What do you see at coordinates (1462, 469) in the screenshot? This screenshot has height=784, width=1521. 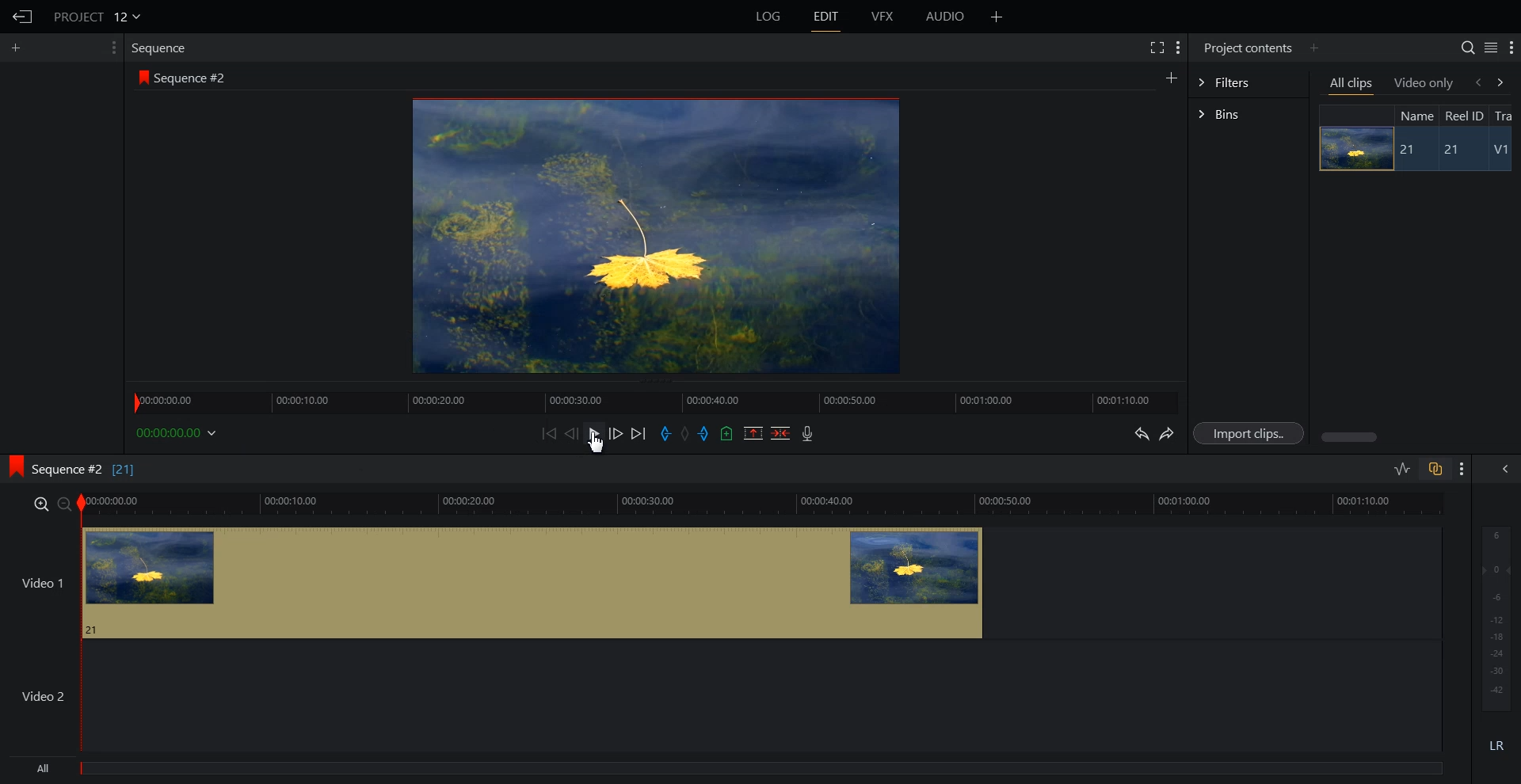 I see `Show setting menu` at bounding box center [1462, 469].